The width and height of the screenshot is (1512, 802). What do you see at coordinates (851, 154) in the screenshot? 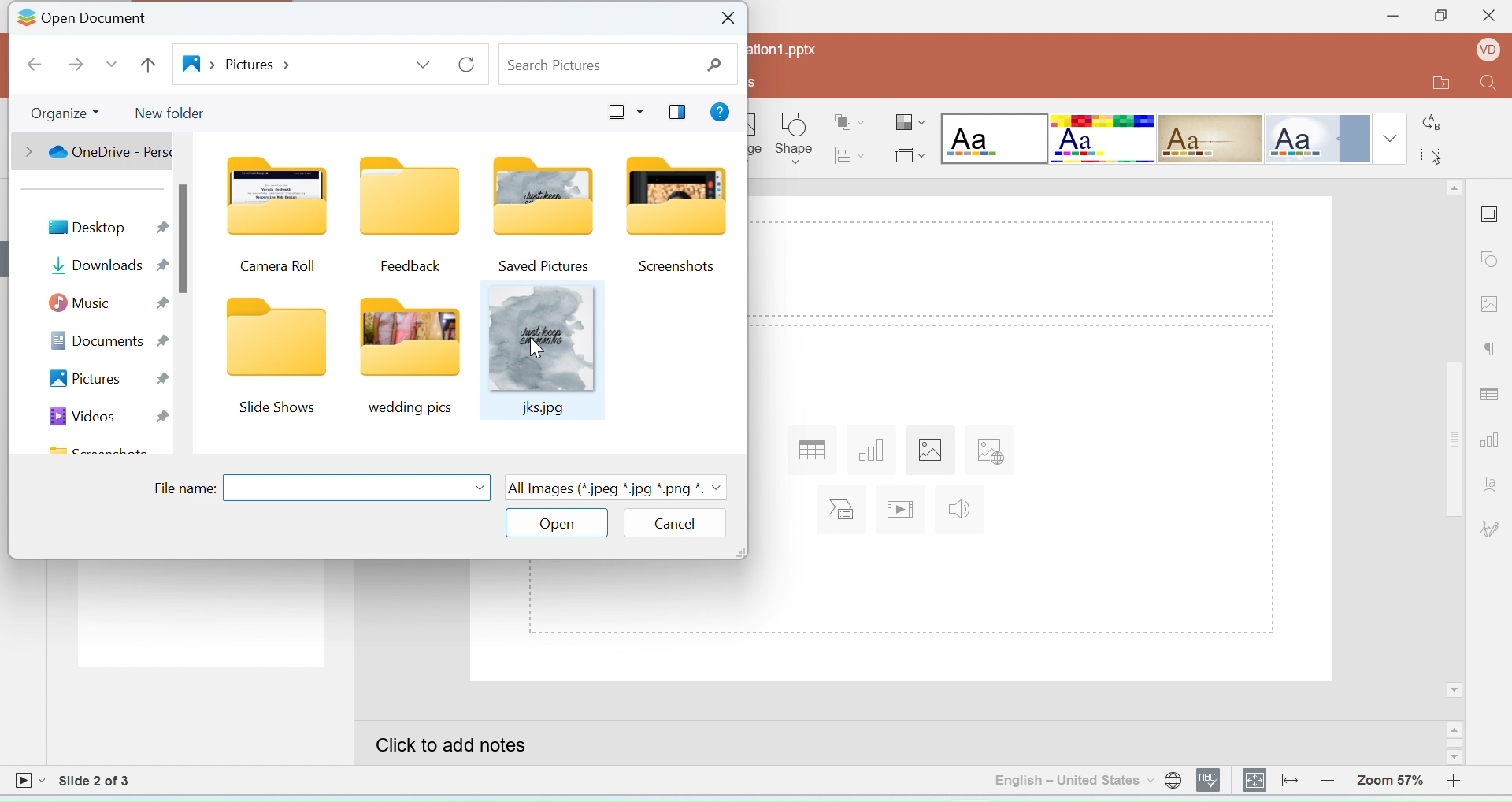
I see `Align shape` at bounding box center [851, 154].